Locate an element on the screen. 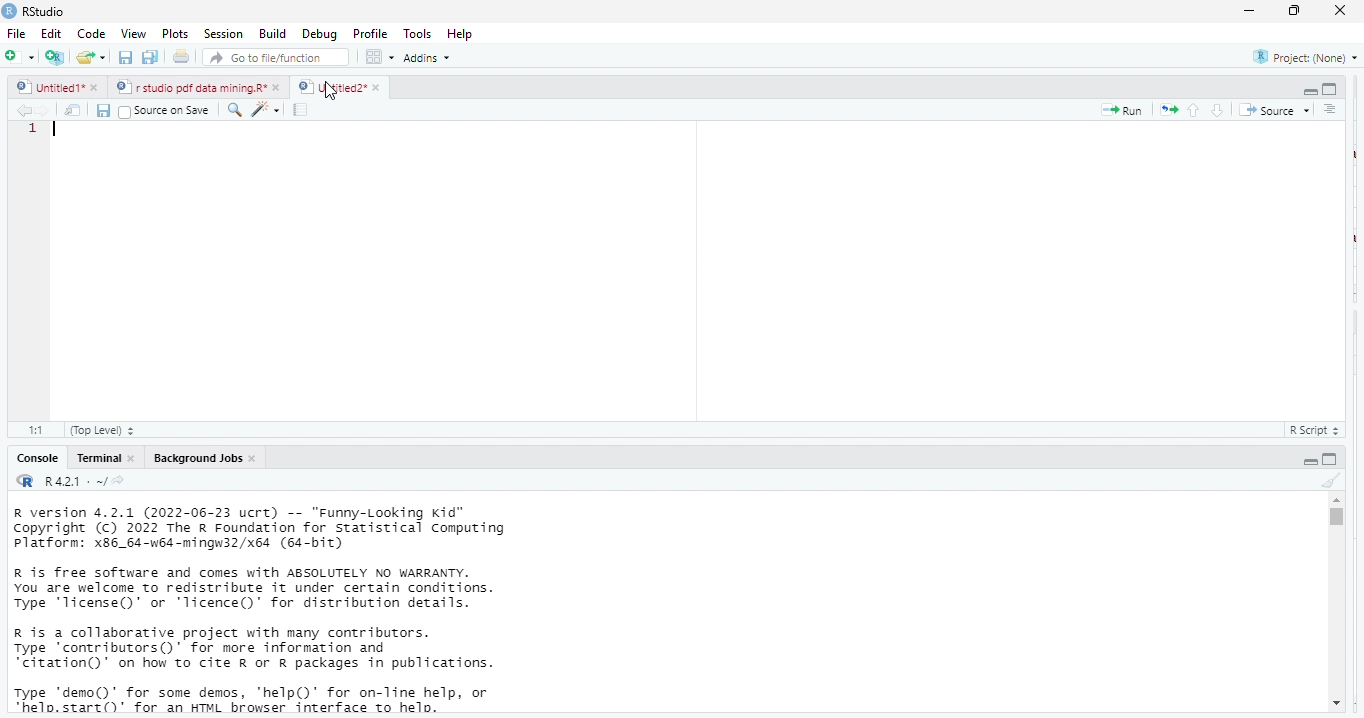  new file is located at coordinates (18, 56).